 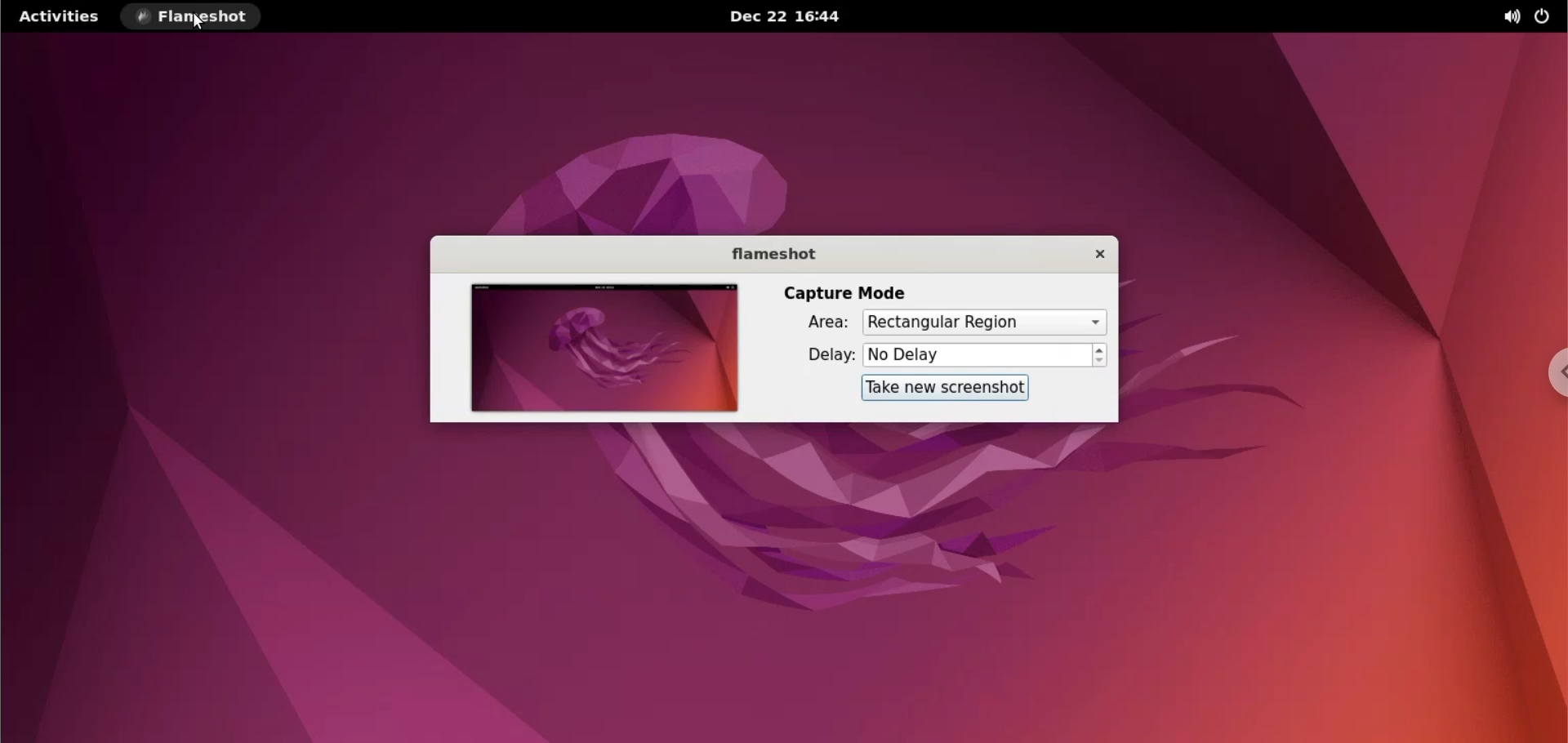 I want to click on power options , so click(x=1545, y=17).